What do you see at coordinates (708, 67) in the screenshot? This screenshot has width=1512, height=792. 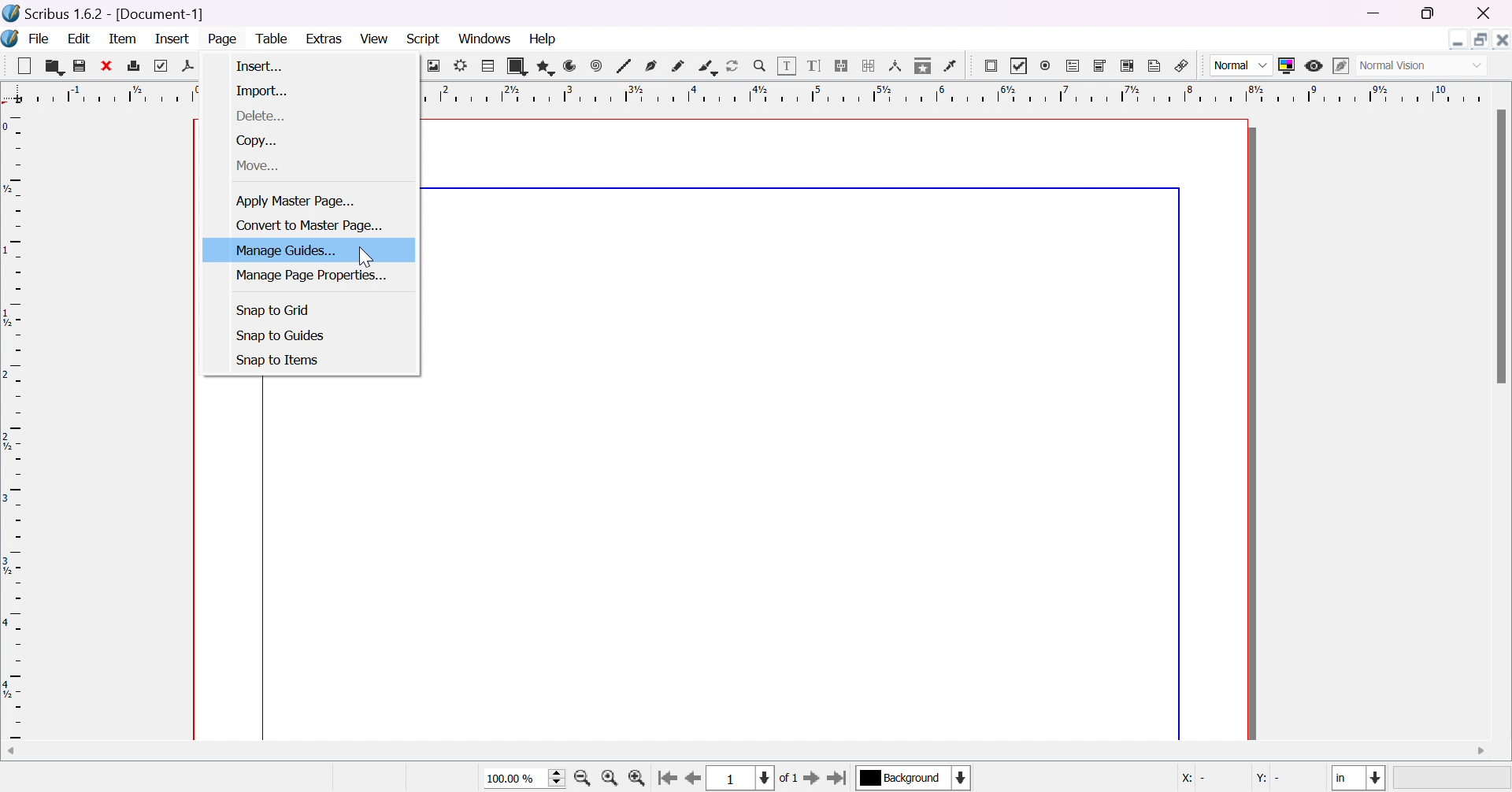 I see `calligraphic line` at bounding box center [708, 67].